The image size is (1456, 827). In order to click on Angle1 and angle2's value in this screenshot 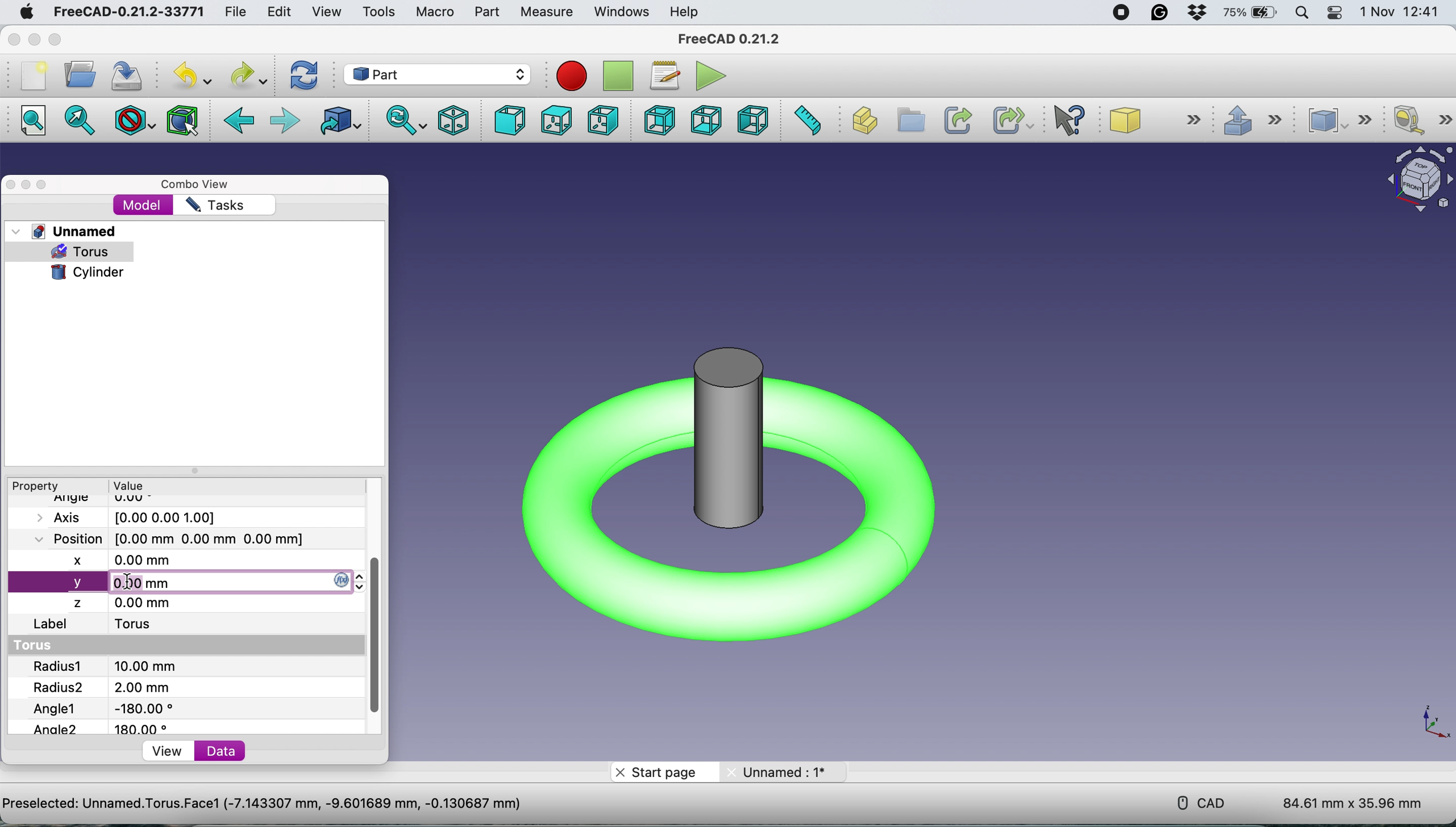, I will do `click(113, 717)`.